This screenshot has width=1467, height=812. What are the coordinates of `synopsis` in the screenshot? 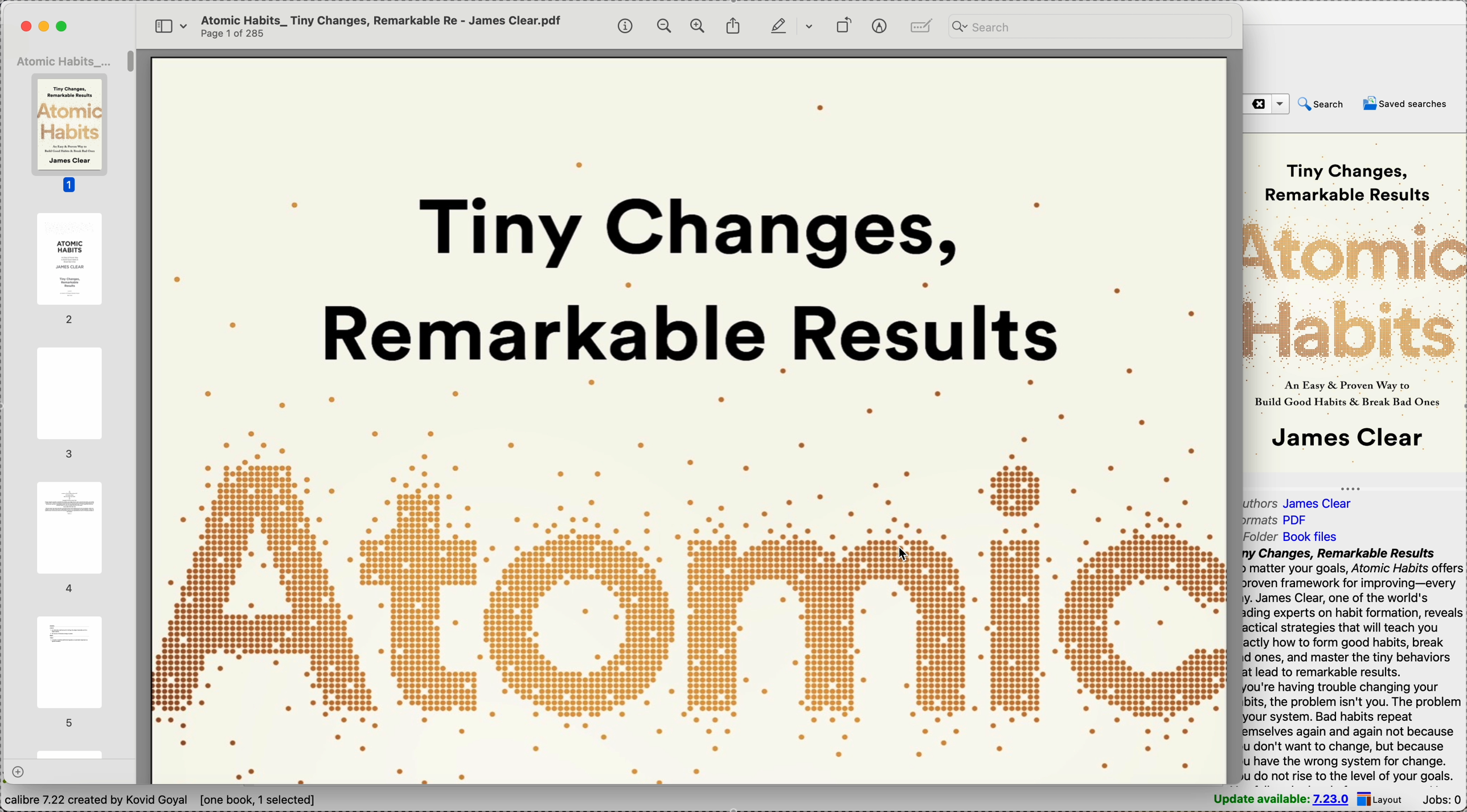 It's located at (1354, 665).